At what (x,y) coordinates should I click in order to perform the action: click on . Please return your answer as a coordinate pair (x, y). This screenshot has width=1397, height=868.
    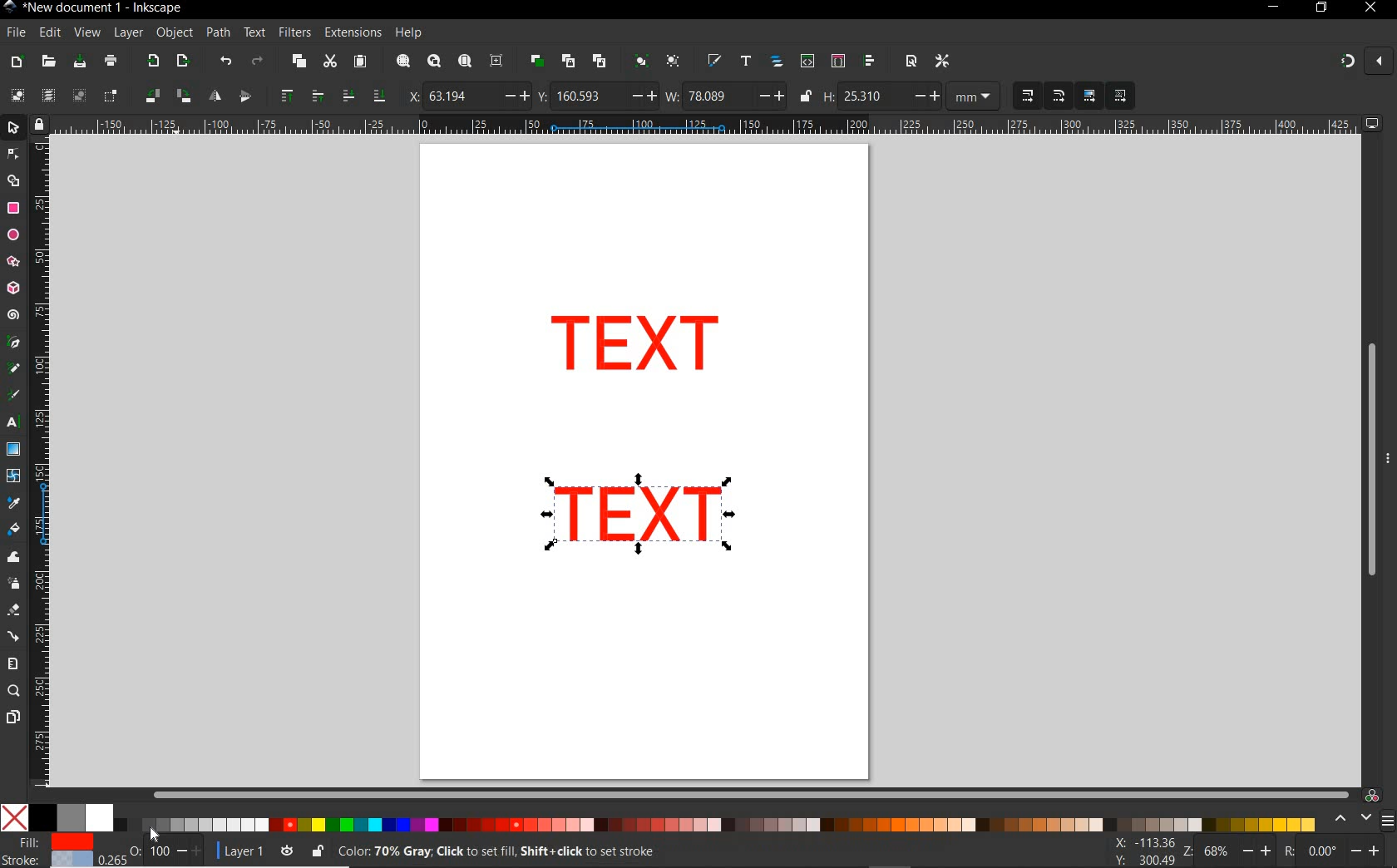
    Looking at the image, I should click on (145, 825).